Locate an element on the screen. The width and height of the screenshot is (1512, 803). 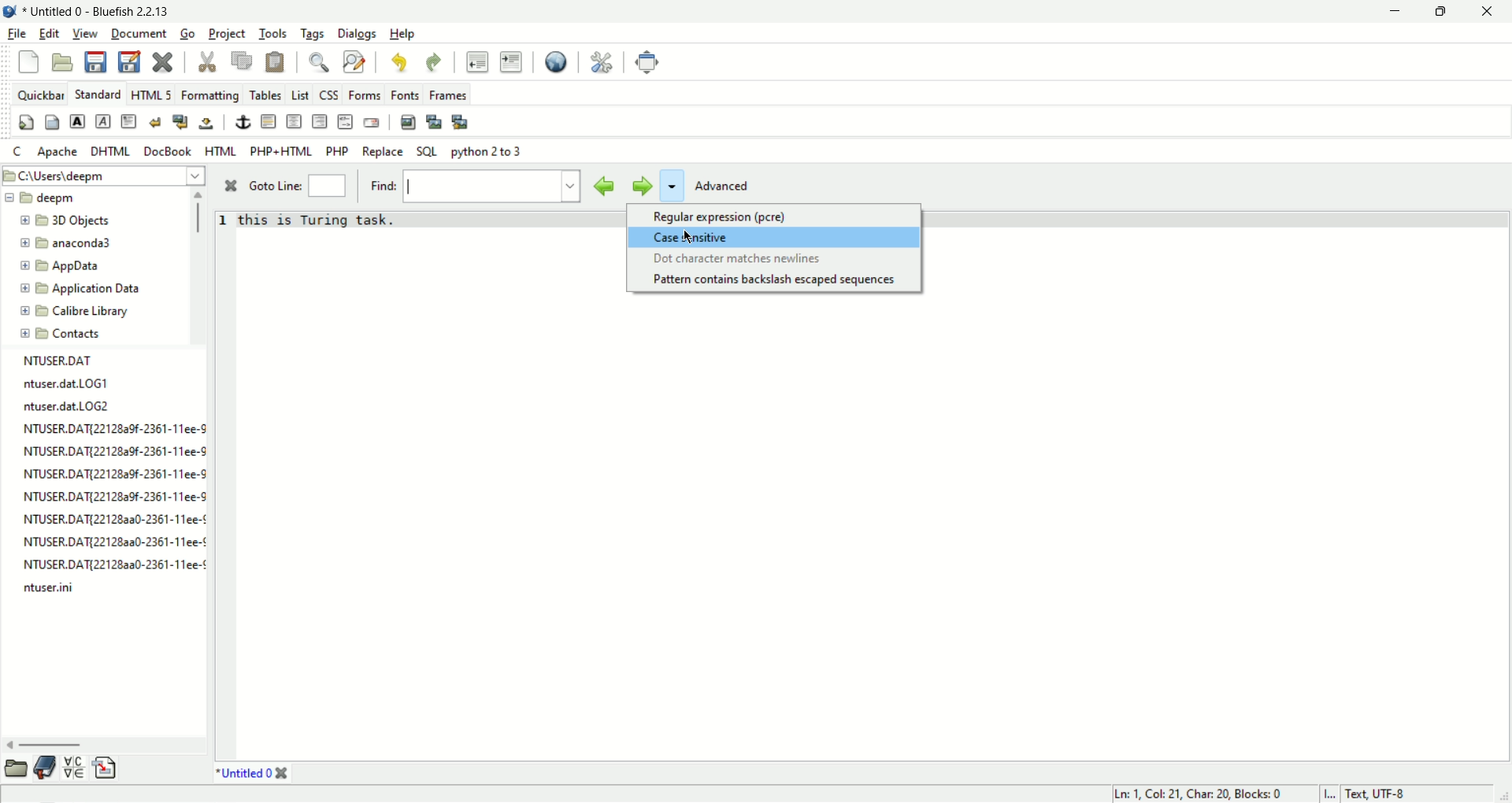
New file is located at coordinates (28, 61).